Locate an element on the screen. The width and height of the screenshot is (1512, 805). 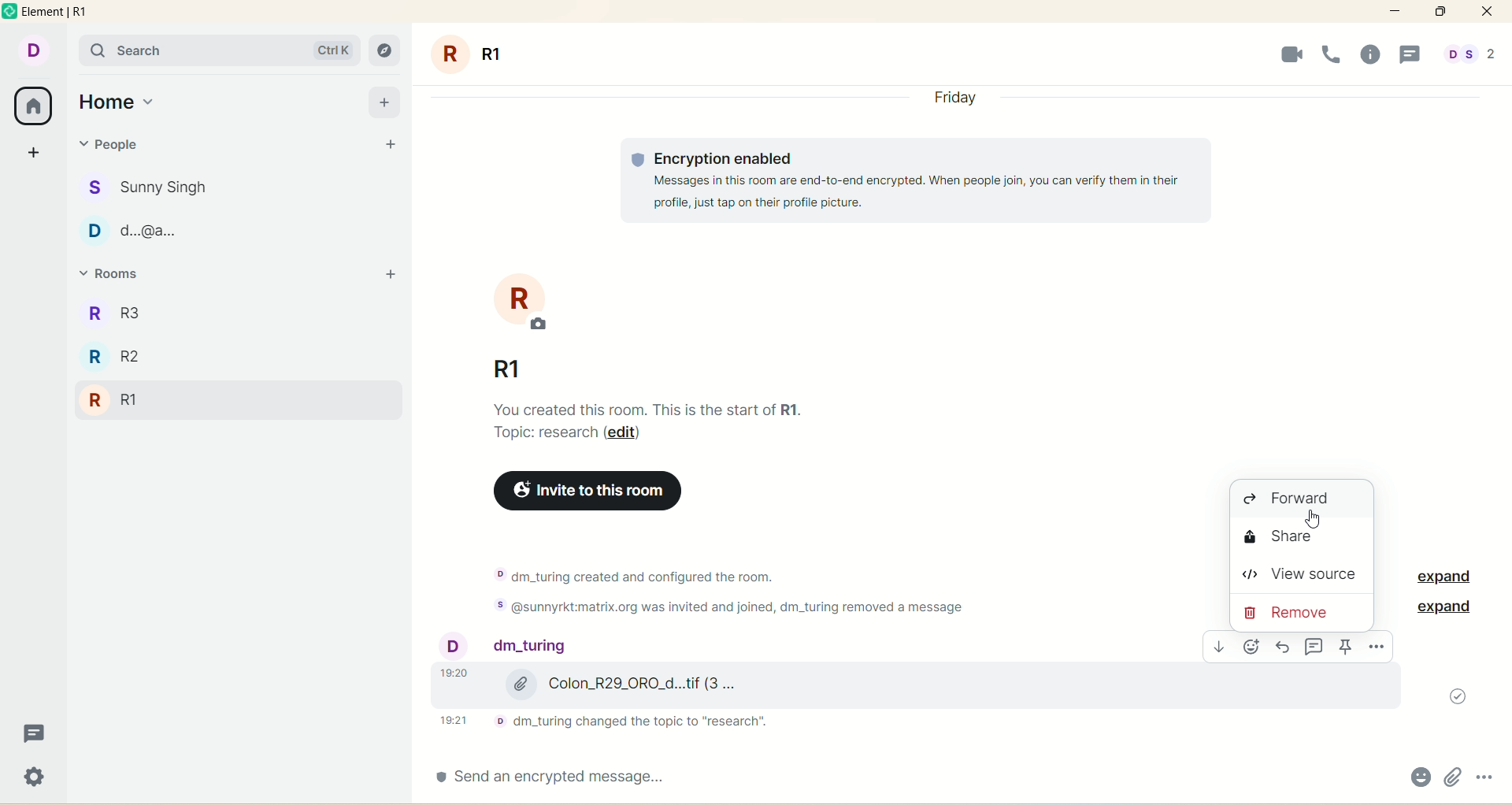
people is located at coordinates (1469, 57).